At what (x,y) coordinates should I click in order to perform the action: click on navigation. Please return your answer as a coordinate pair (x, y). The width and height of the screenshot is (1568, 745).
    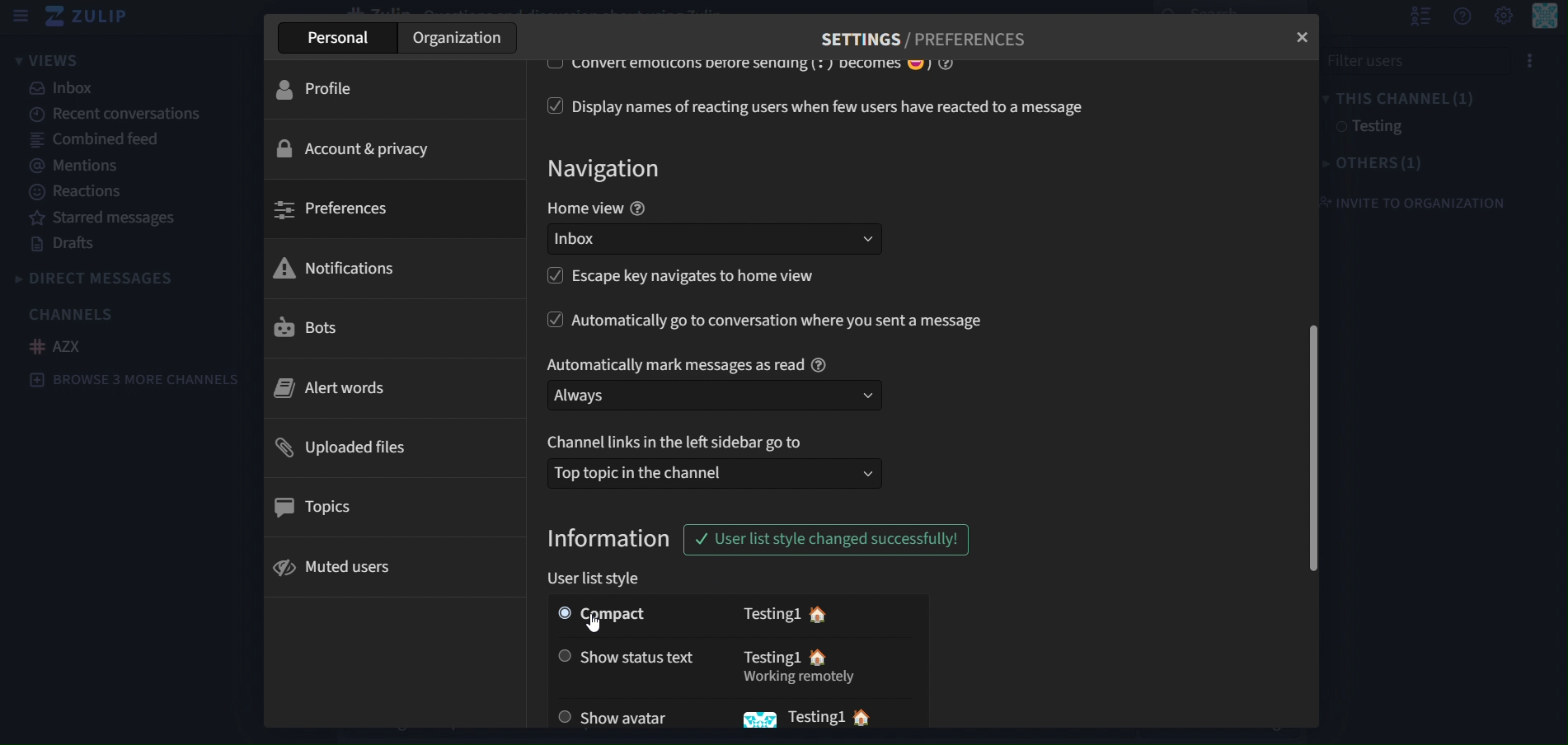
    Looking at the image, I should click on (609, 170).